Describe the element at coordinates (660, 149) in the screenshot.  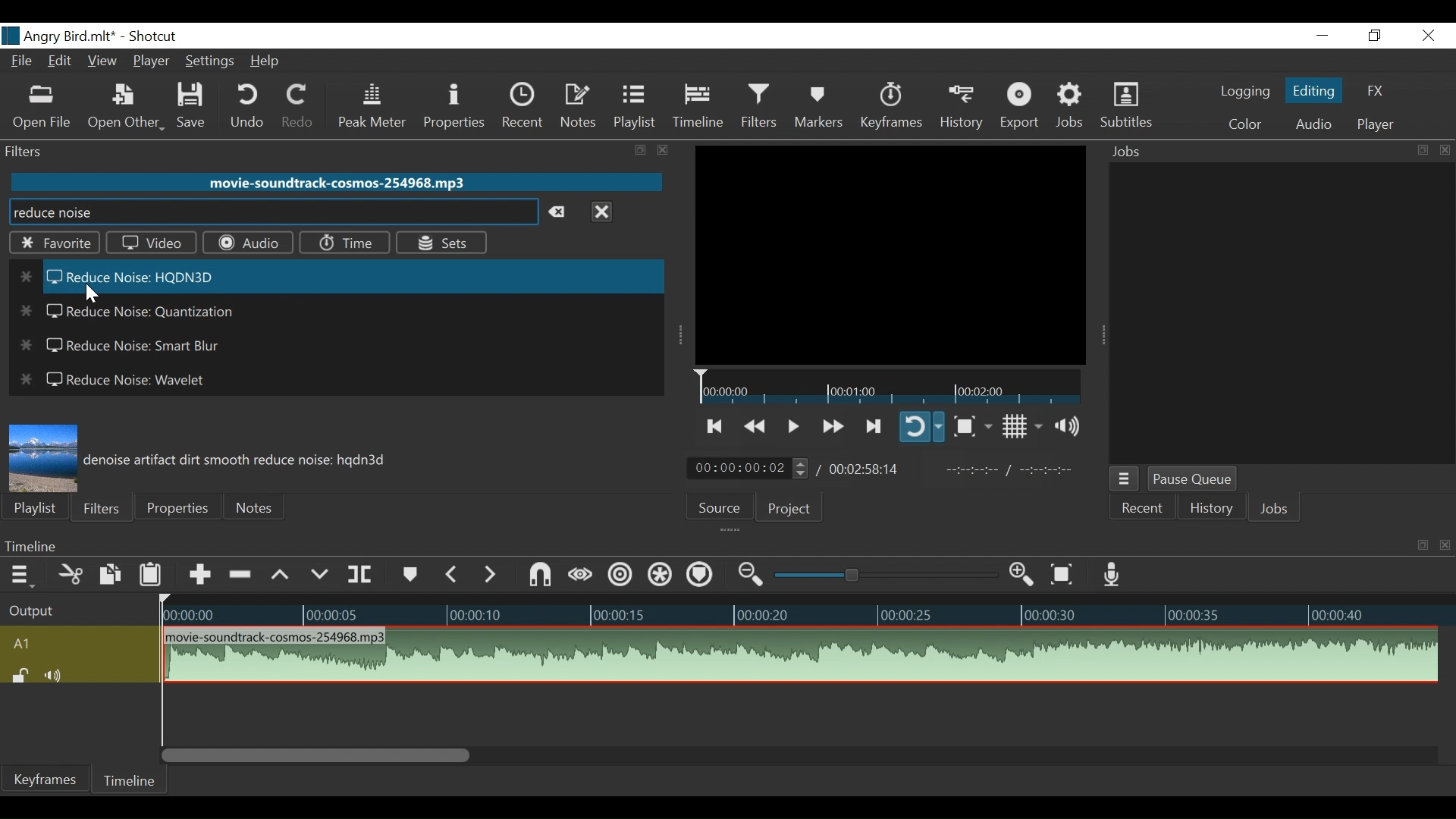
I see `close` at that location.